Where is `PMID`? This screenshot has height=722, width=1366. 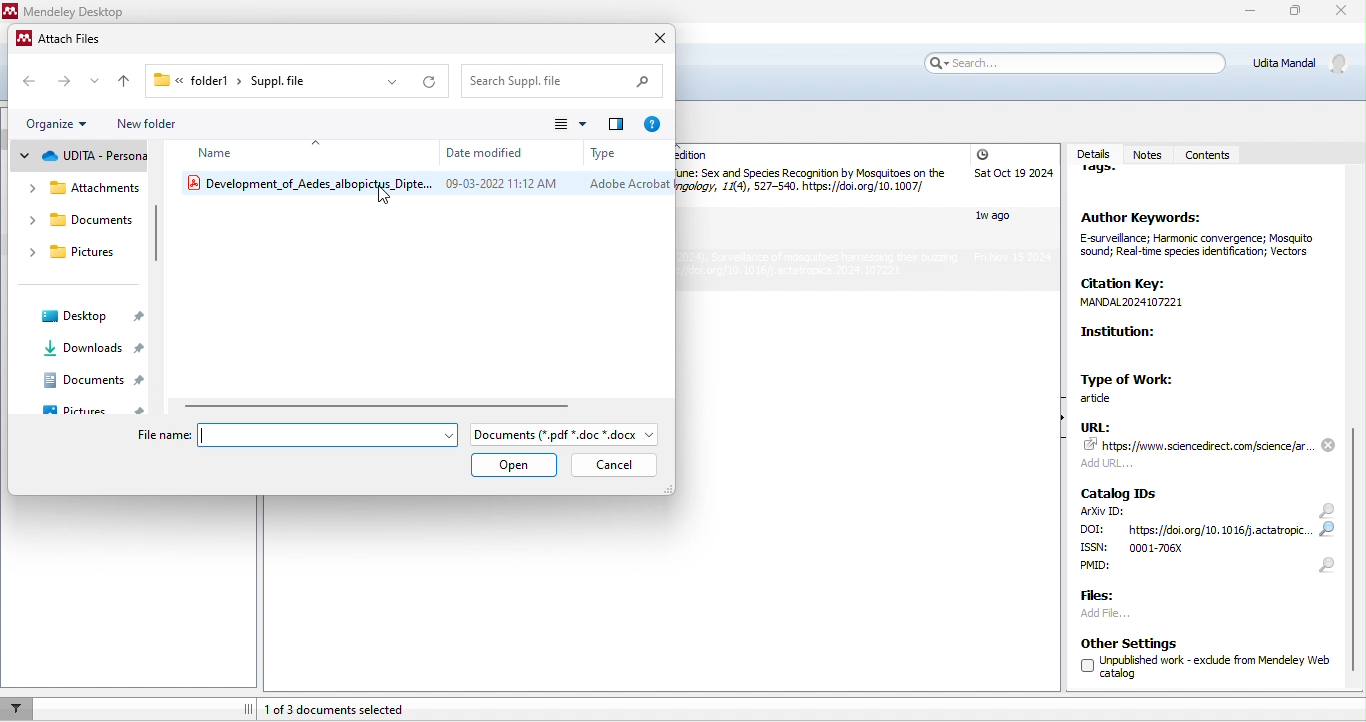 PMID is located at coordinates (1125, 571).